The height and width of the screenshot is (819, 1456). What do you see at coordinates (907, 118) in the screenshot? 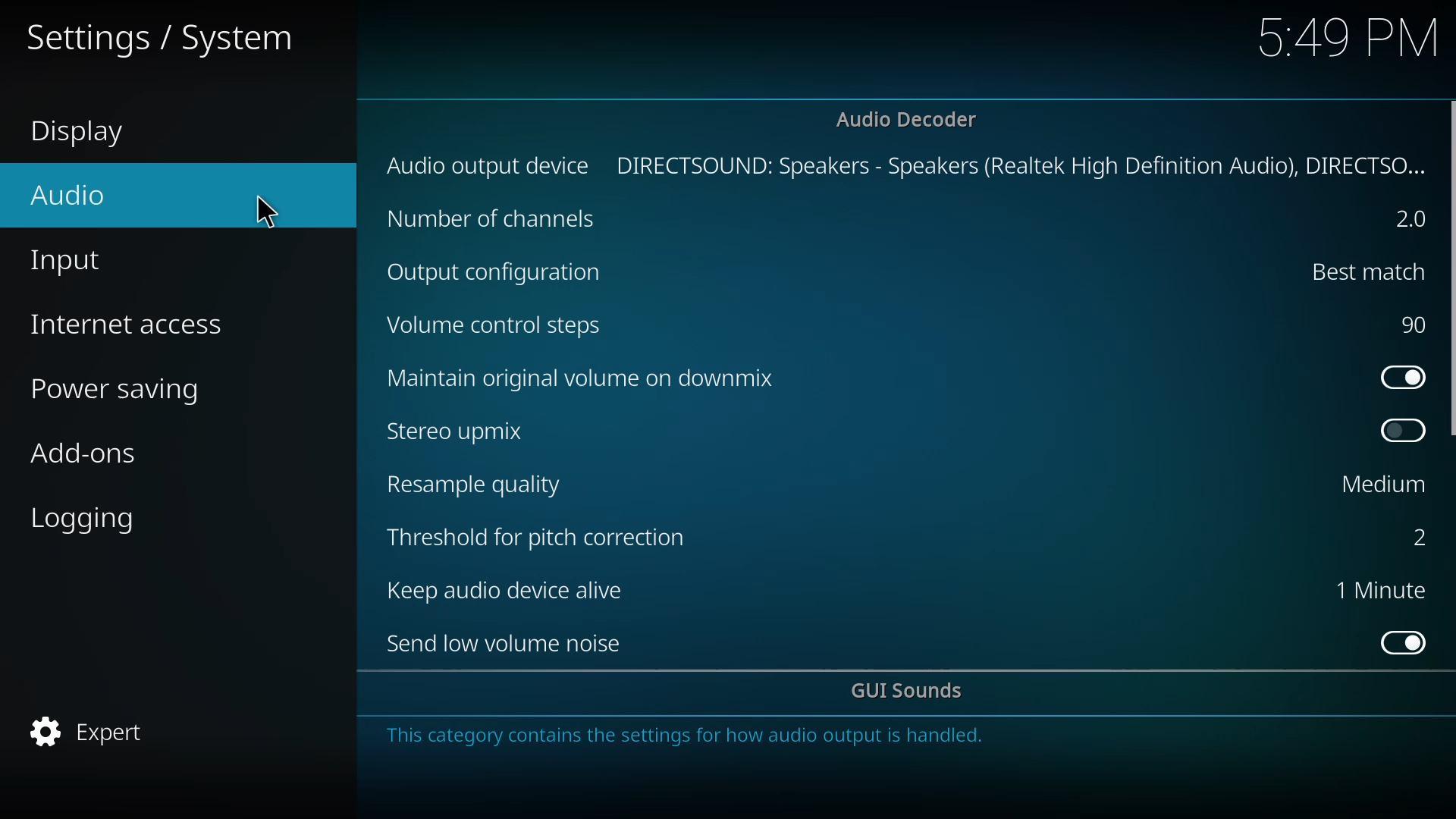
I see `audio decoder` at bounding box center [907, 118].